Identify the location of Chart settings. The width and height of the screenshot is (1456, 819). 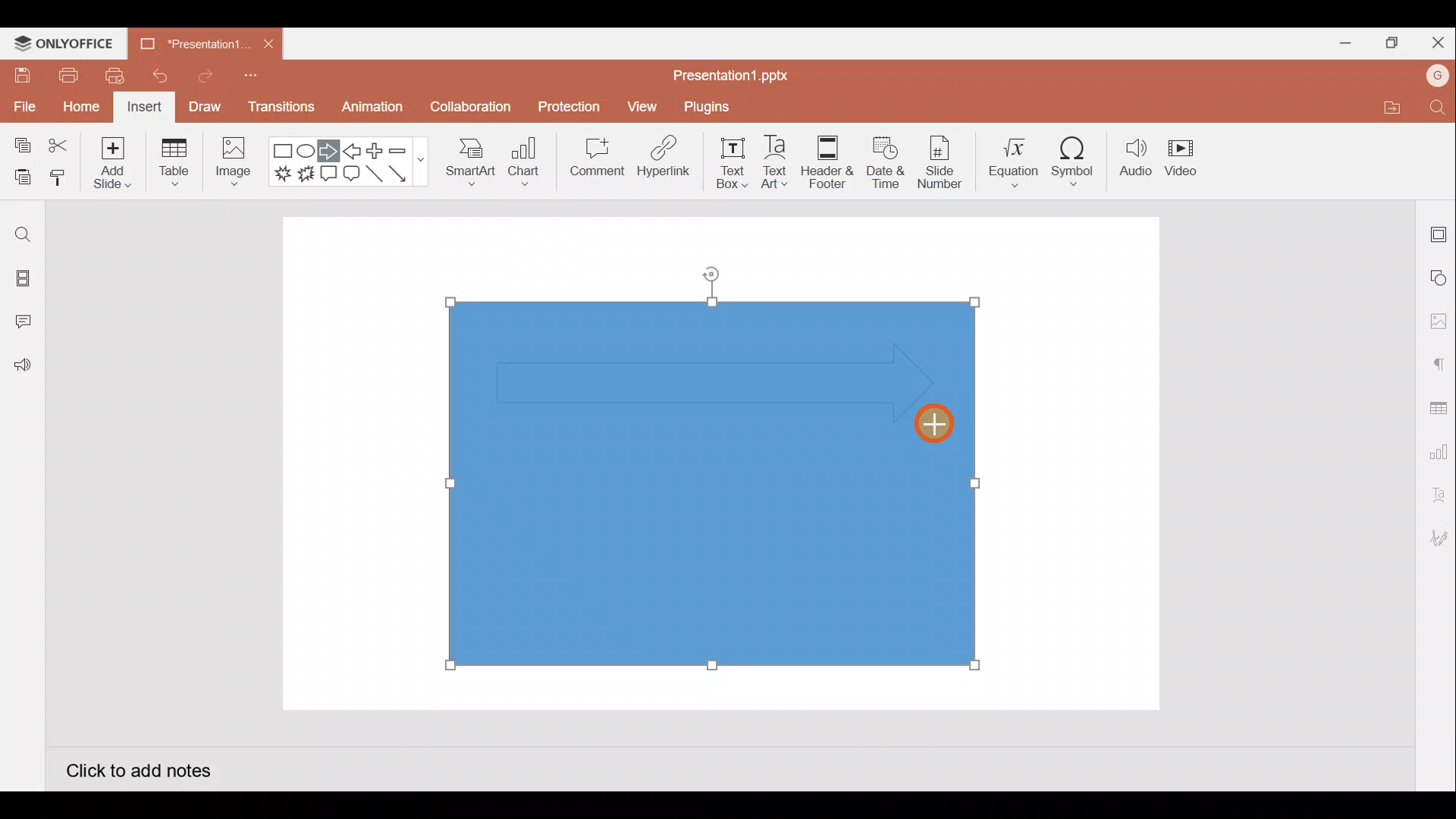
(1436, 449).